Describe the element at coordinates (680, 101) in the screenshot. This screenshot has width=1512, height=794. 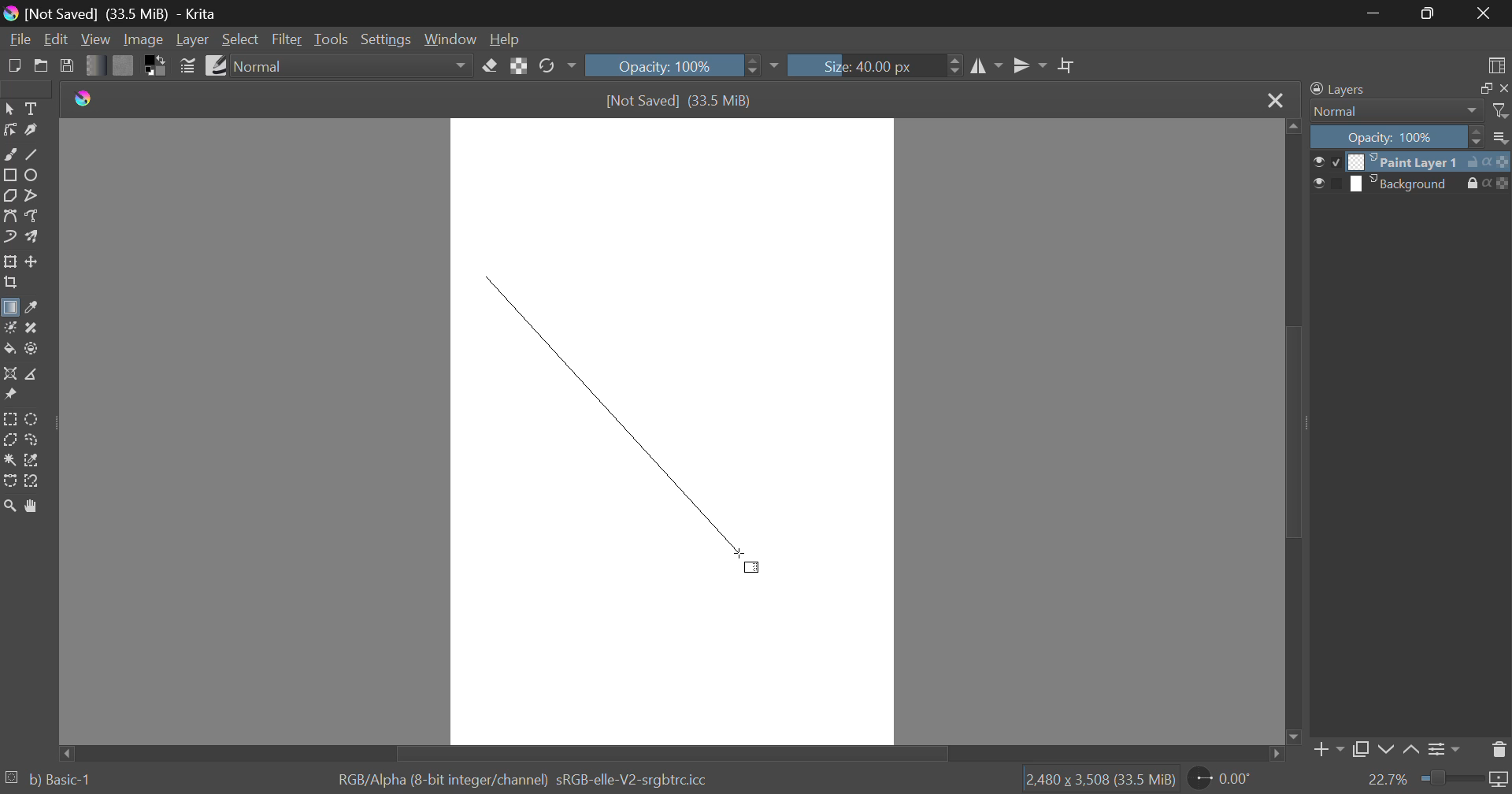
I see `[Not Saved] (33.5 MiB)` at that location.